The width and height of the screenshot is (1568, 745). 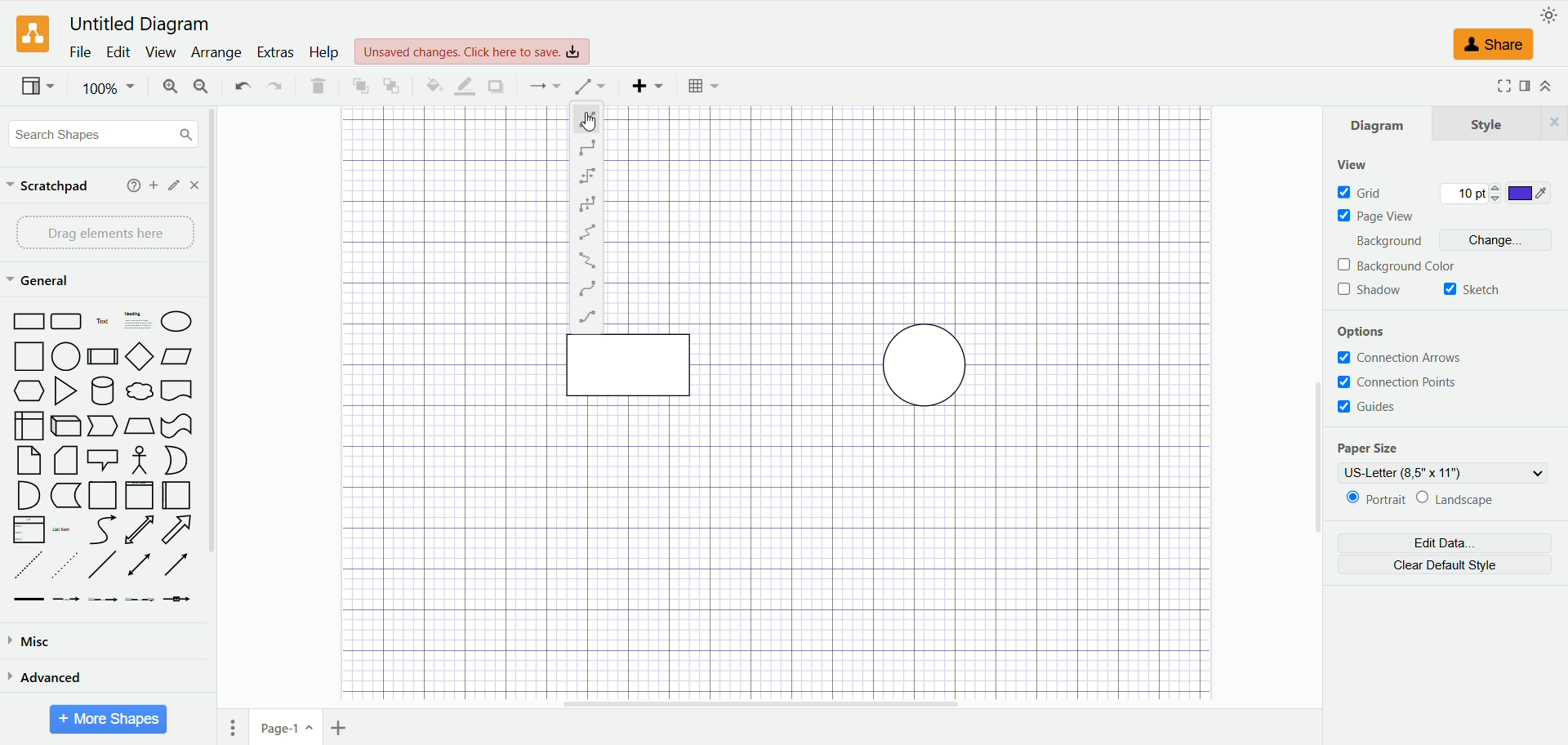 What do you see at coordinates (390, 85) in the screenshot?
I see `to back` at bounding box center [390, 85].